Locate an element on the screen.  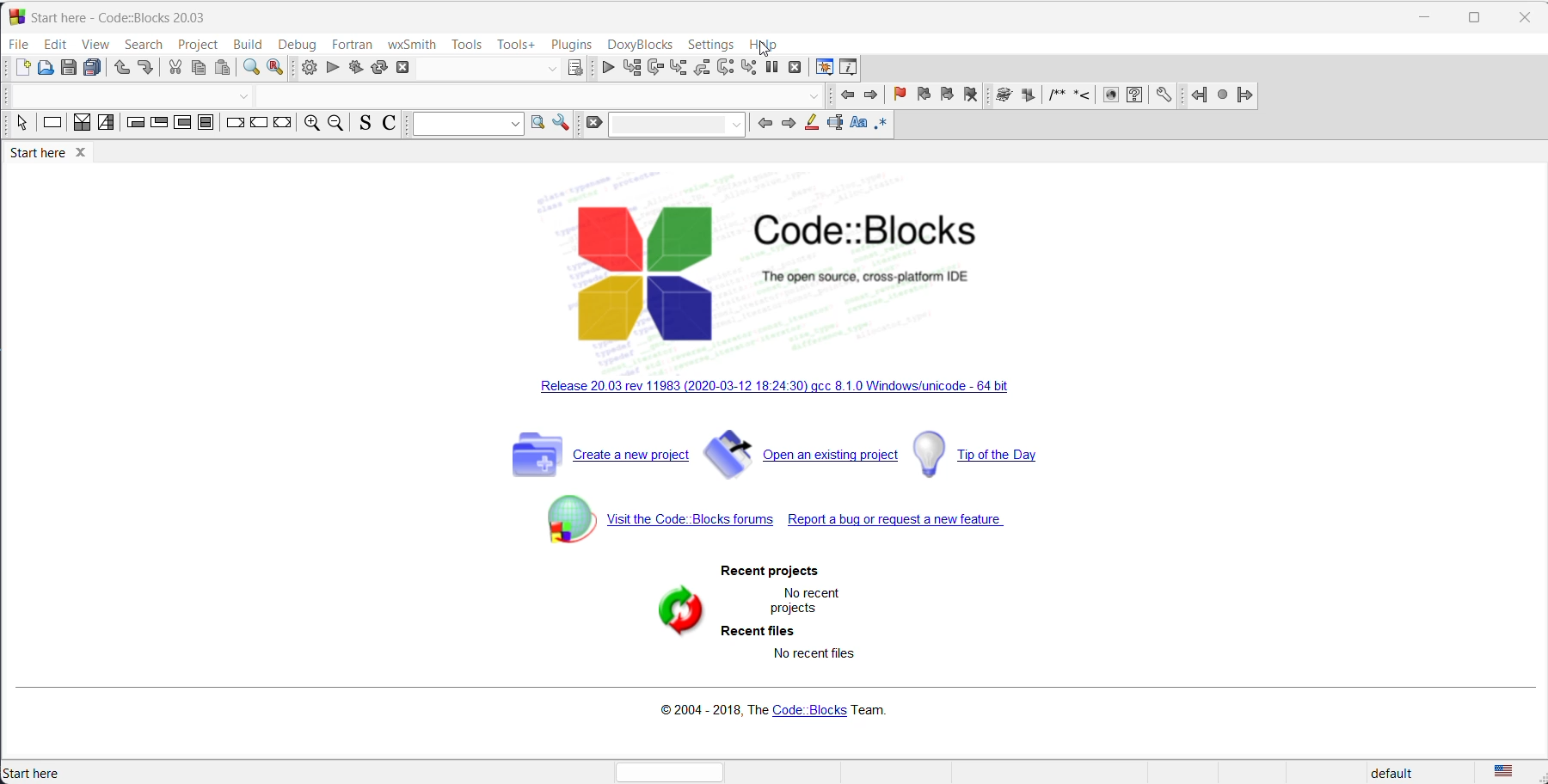
recent projects is located at coordinates (783, 573).